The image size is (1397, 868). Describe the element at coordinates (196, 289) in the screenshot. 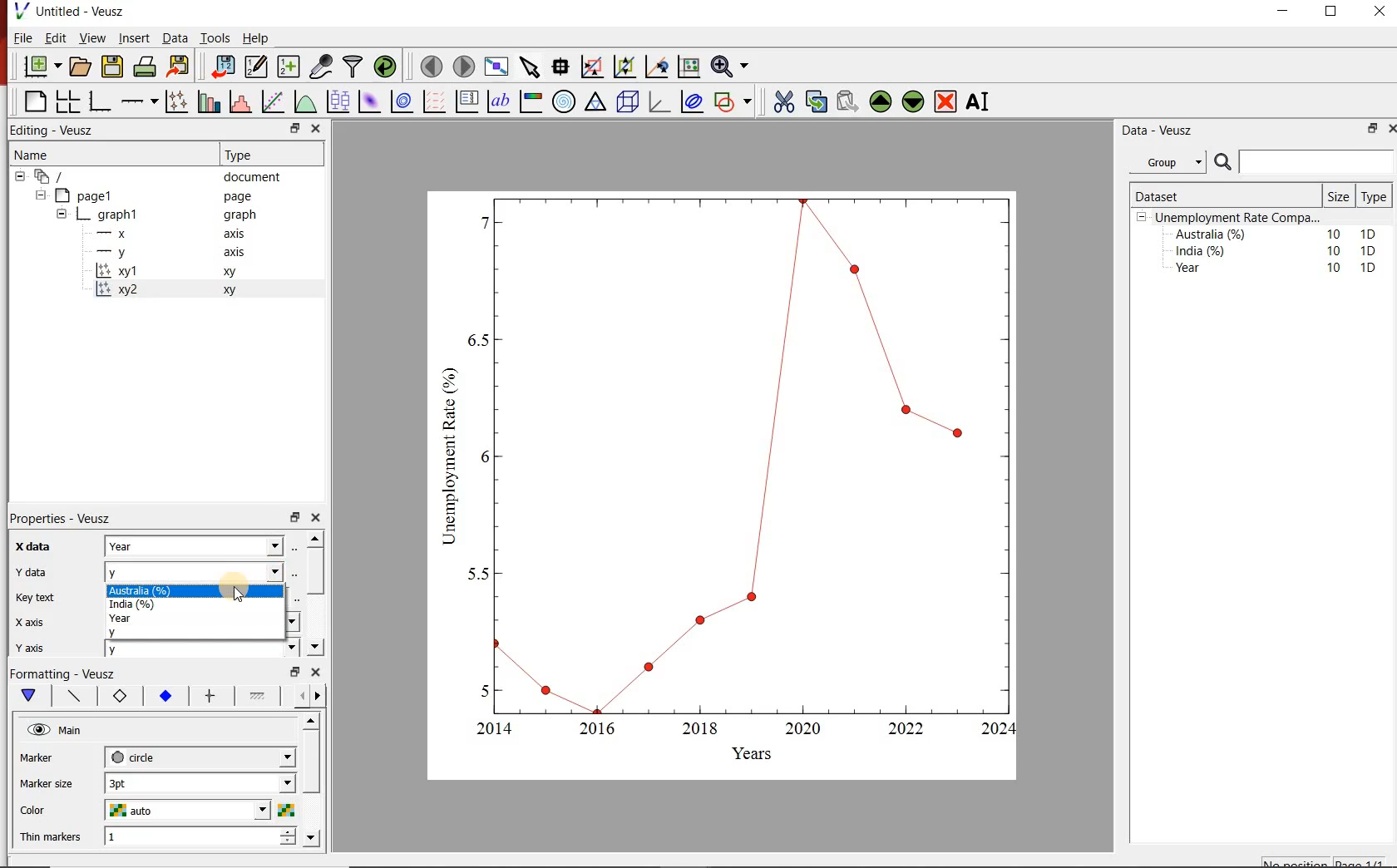

I see `xy2` at that location.